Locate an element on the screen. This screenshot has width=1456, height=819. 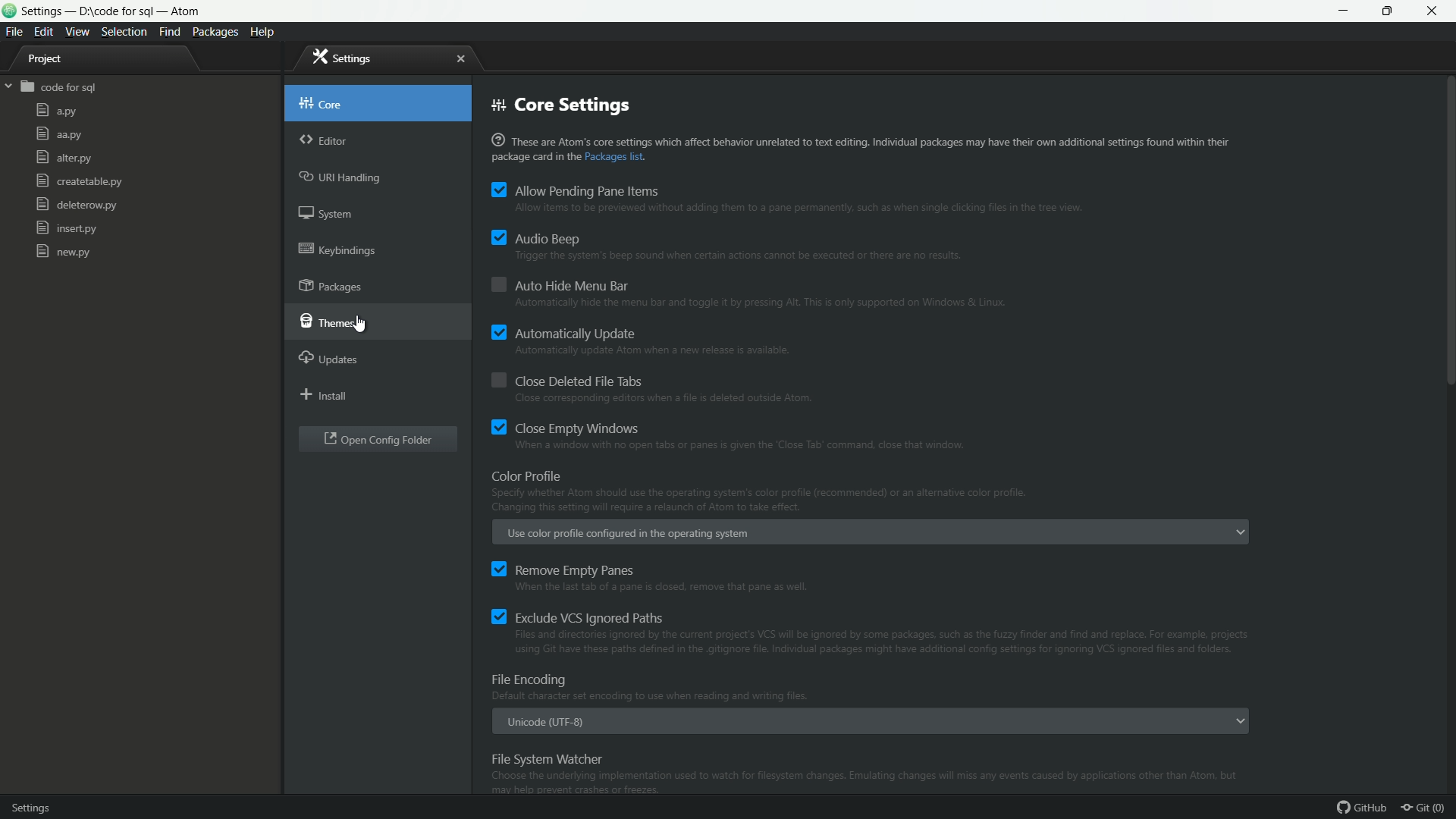
close corresponding editors when a file is deleted outside atom is located at coordinates (663, 400).